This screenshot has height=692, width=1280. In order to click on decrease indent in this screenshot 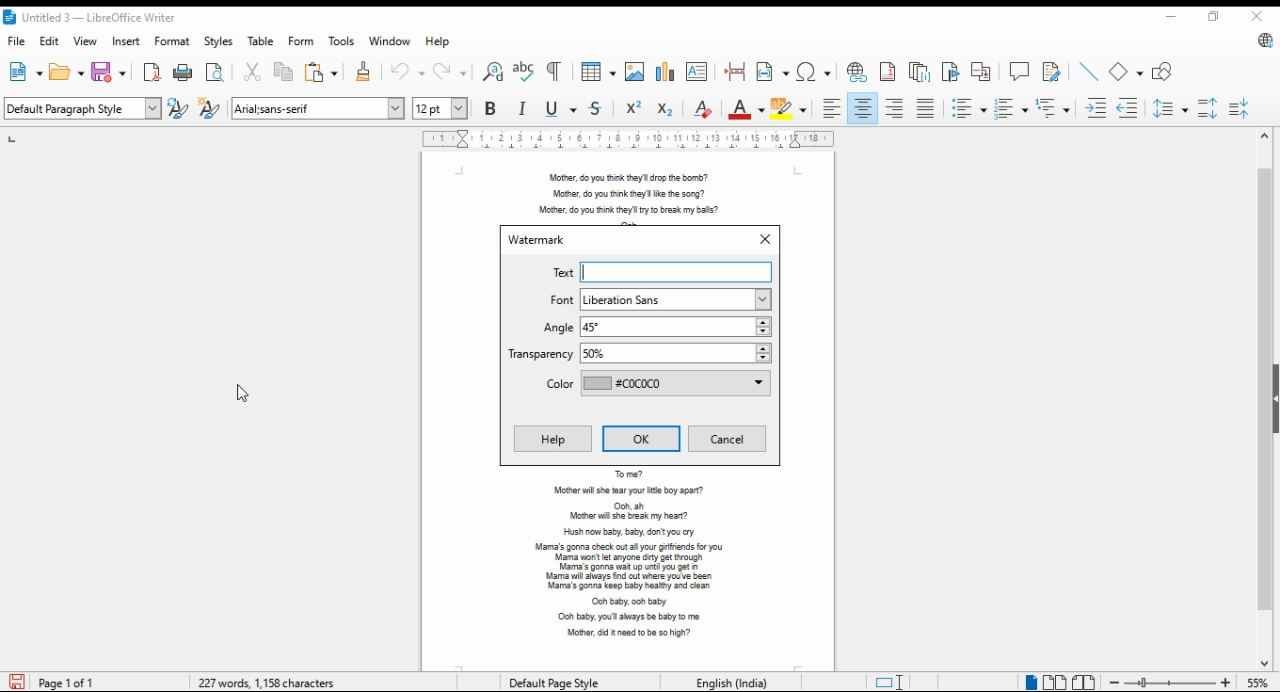, I will do `click(1128, 108)`.